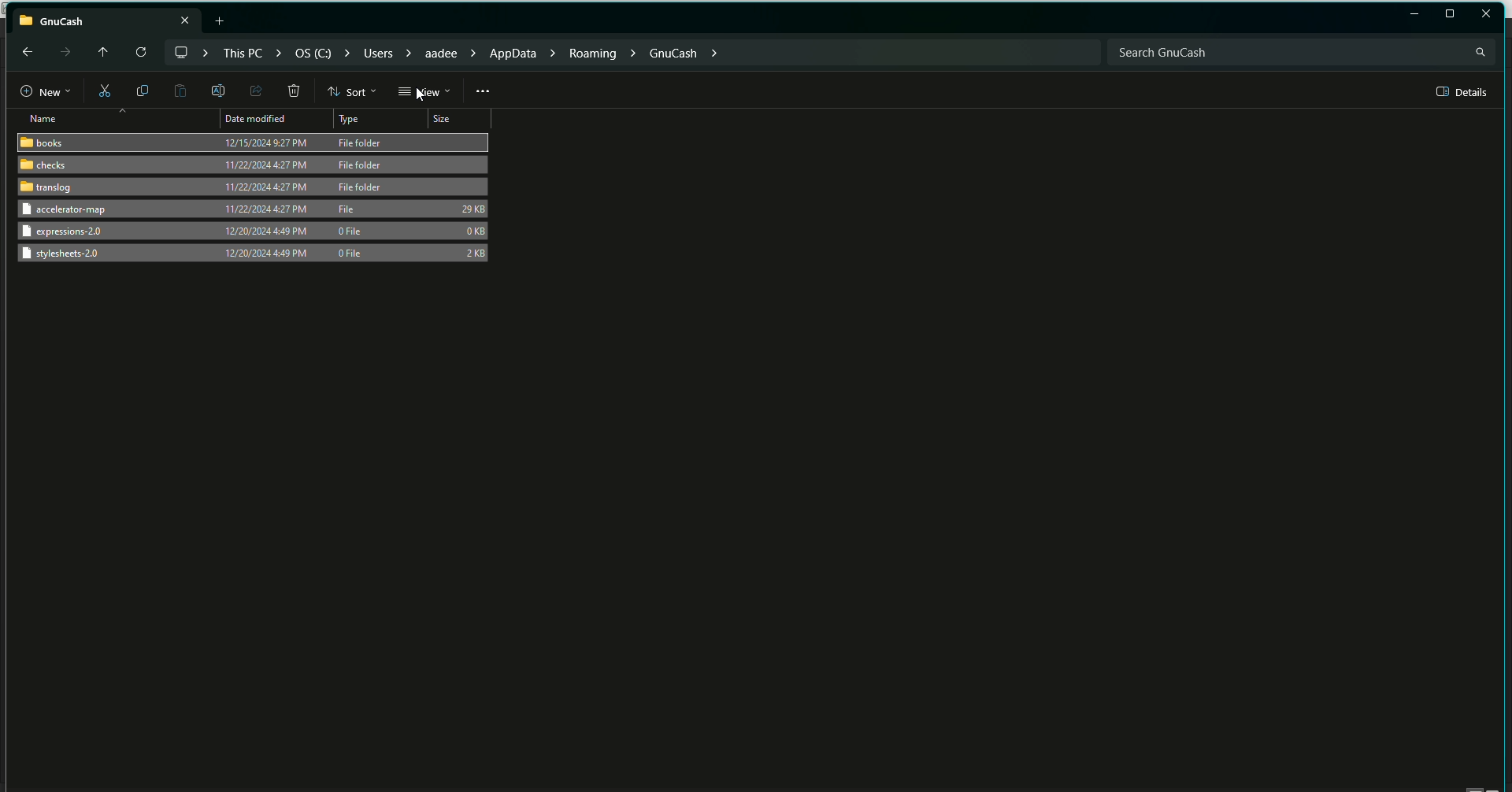 This screenshot has width=1512, height=792. Describe the element at coordinates (263, 233) in the screenshot. I see `Date` at that location.